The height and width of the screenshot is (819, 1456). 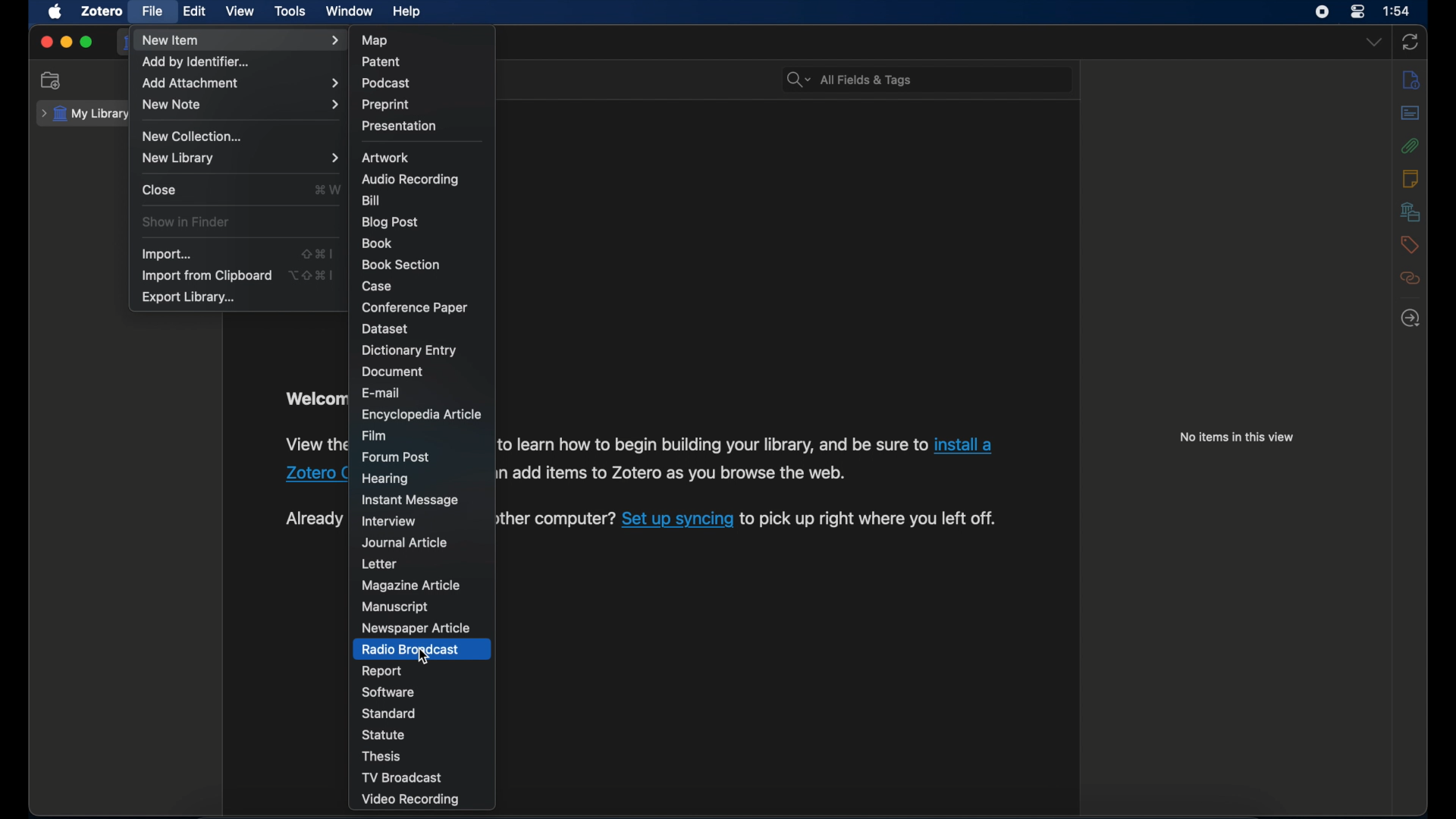 What do you see at coordinates (425, 657) in the screenshot?
I see `cursor` at bounding box center [425, 657].